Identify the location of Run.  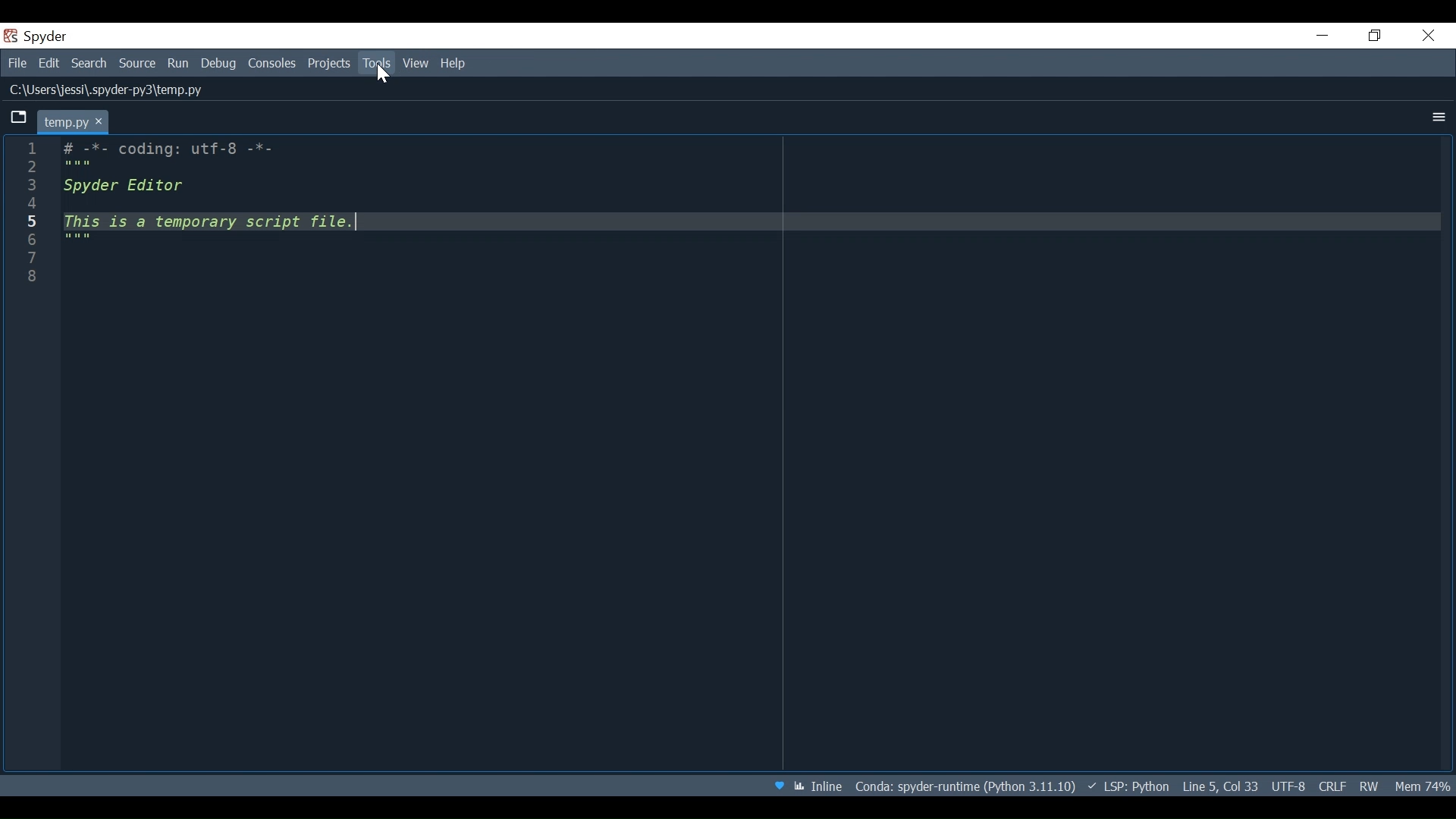
(178, 63).